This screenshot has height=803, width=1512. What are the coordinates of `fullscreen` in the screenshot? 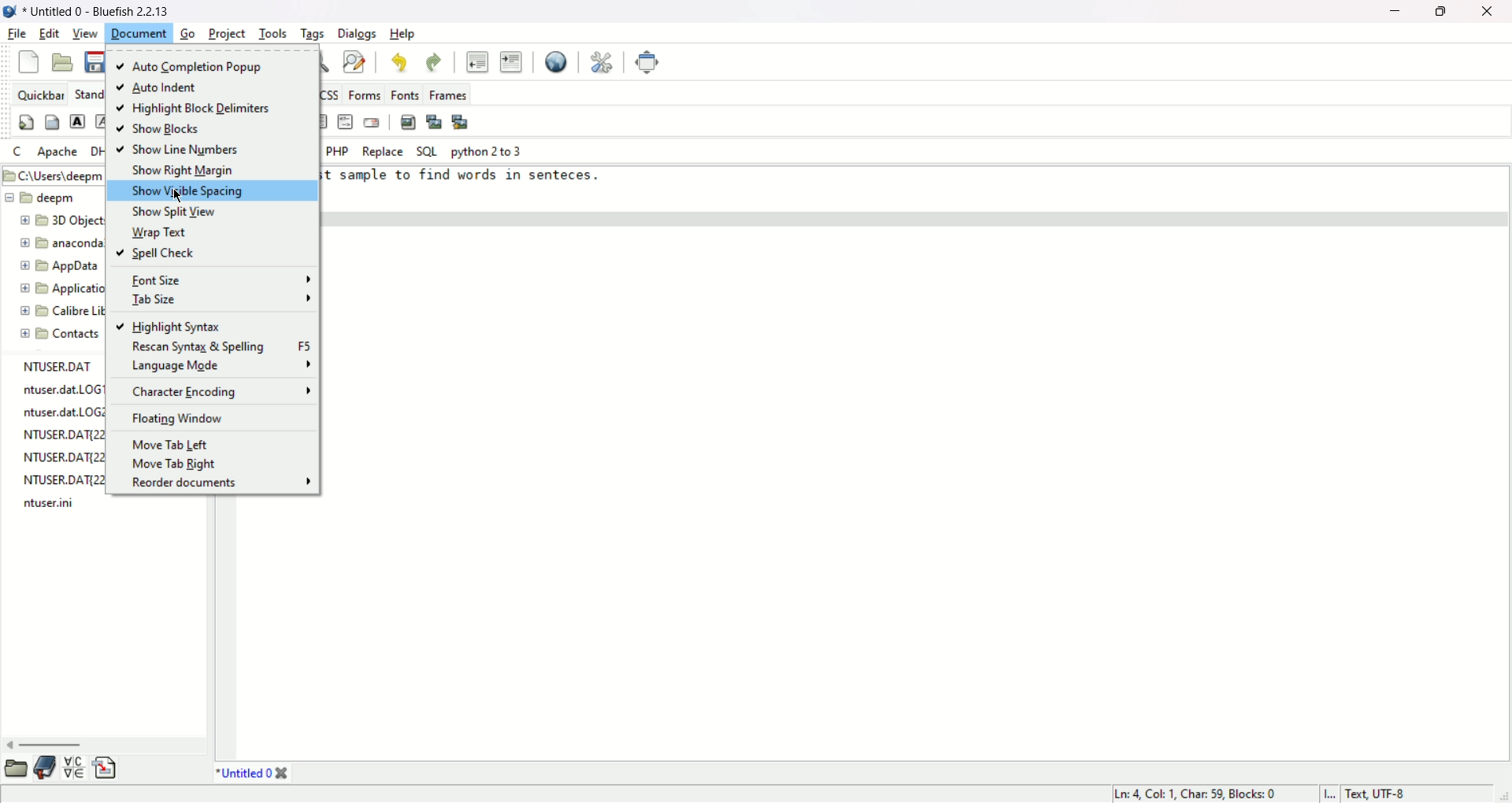 It's located at (648, 62).